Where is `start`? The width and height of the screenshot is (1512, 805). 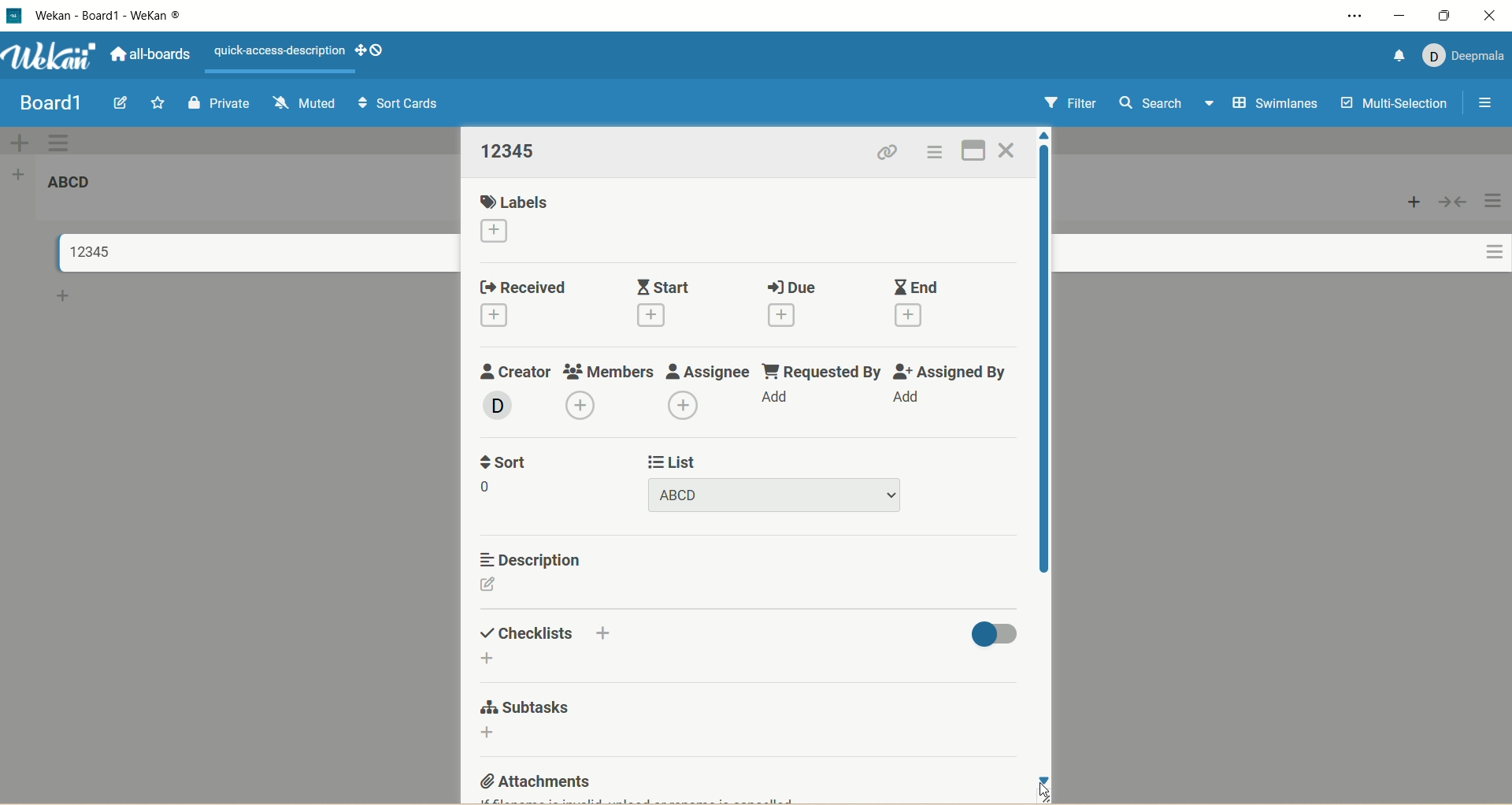
start is located at coordinates (665, 284).